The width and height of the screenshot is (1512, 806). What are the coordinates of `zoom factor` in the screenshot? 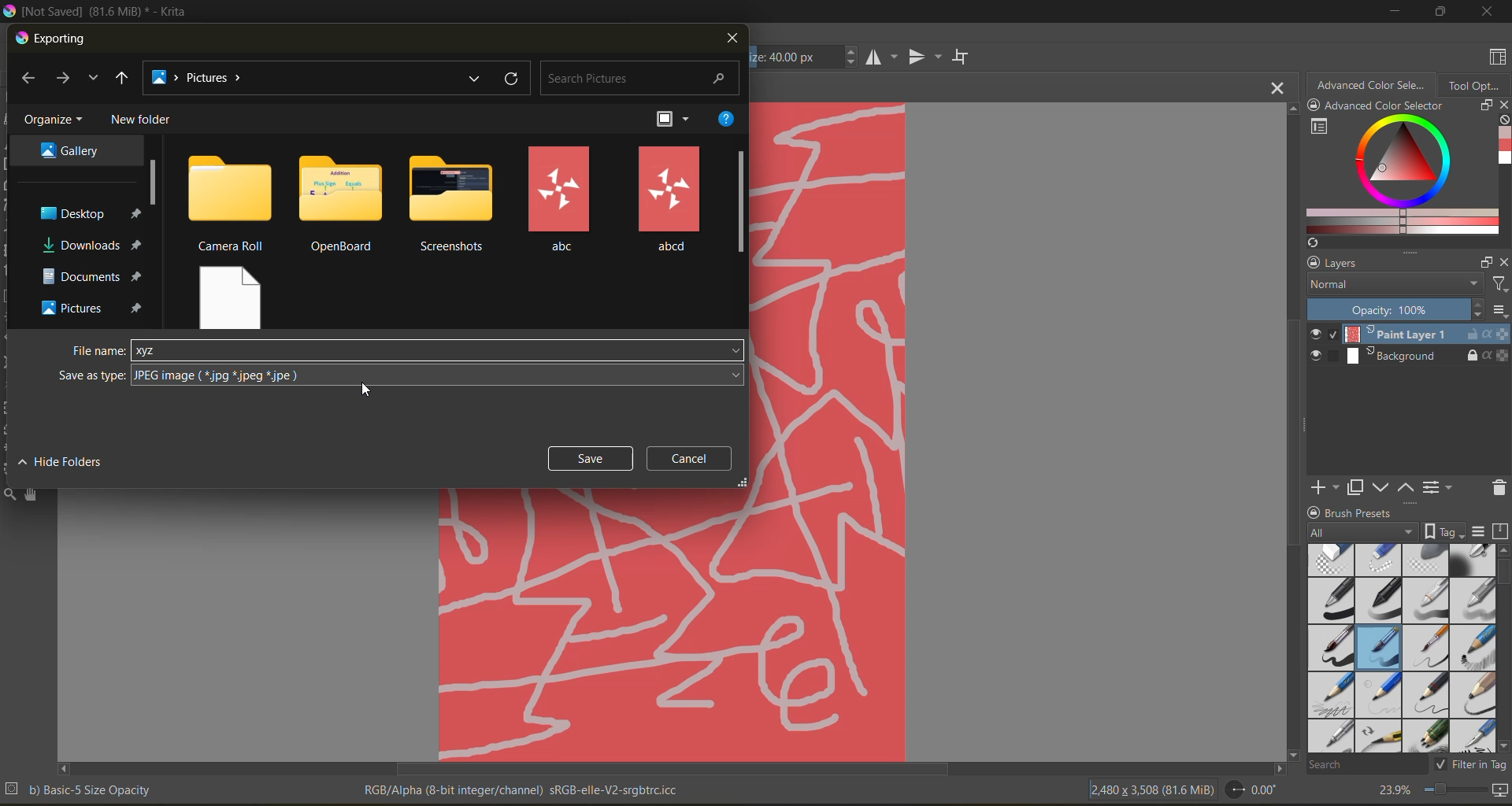 It's located at (1392, 791).